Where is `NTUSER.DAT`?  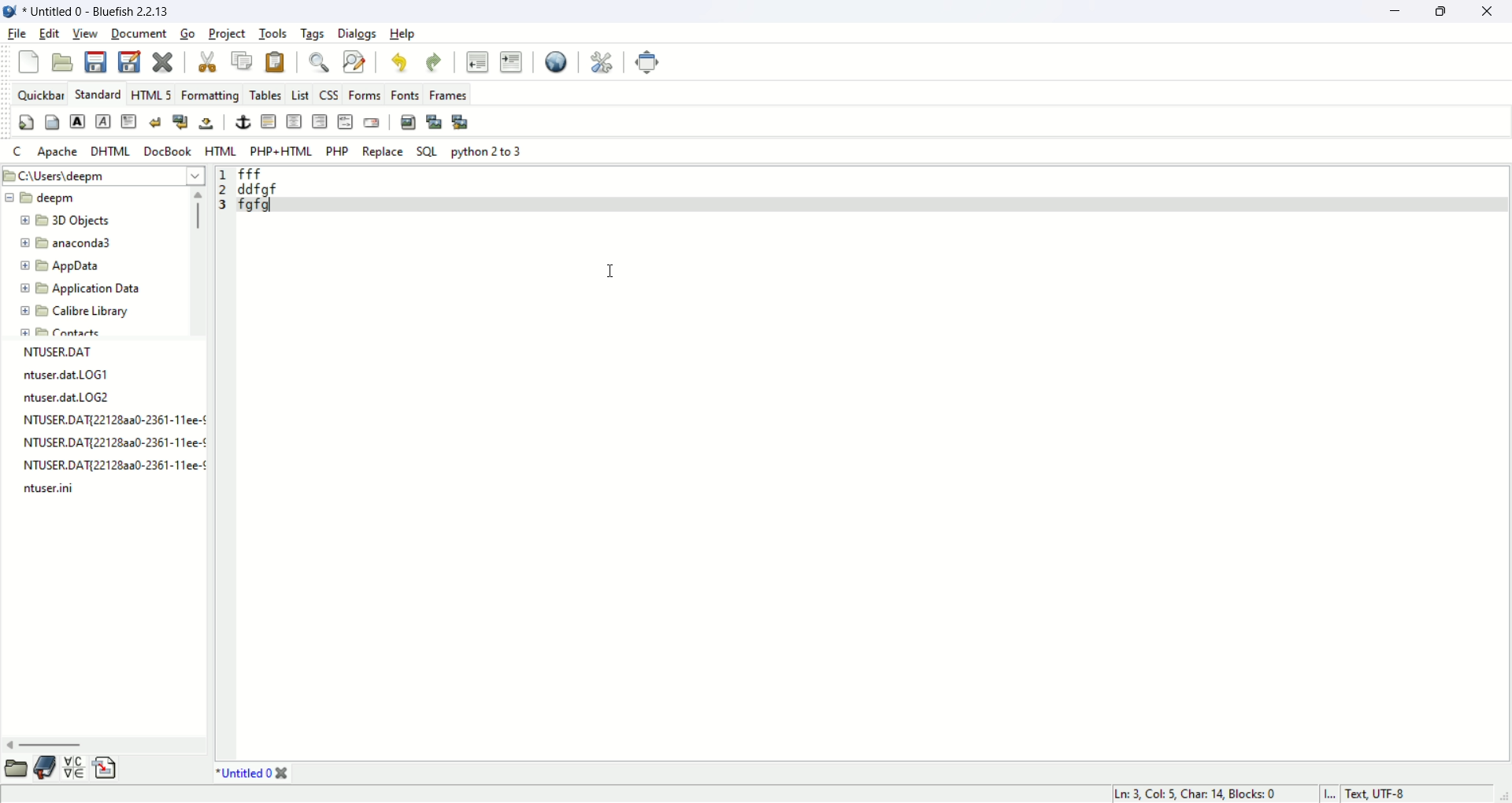
NTUSER.DAT is located at coordinates (54, 352).